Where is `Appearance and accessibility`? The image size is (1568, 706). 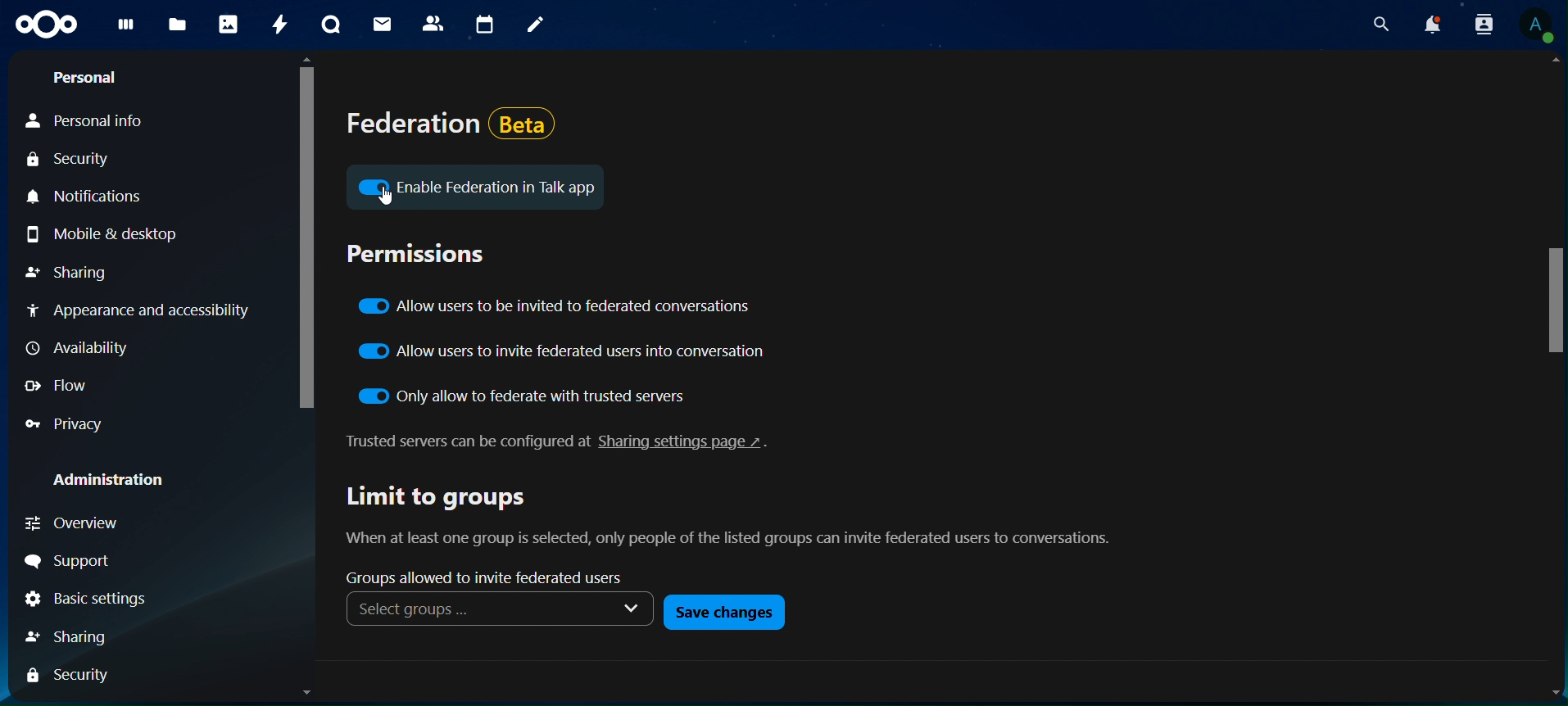 Appearance and accessibility is located at coordinates (152, 310).